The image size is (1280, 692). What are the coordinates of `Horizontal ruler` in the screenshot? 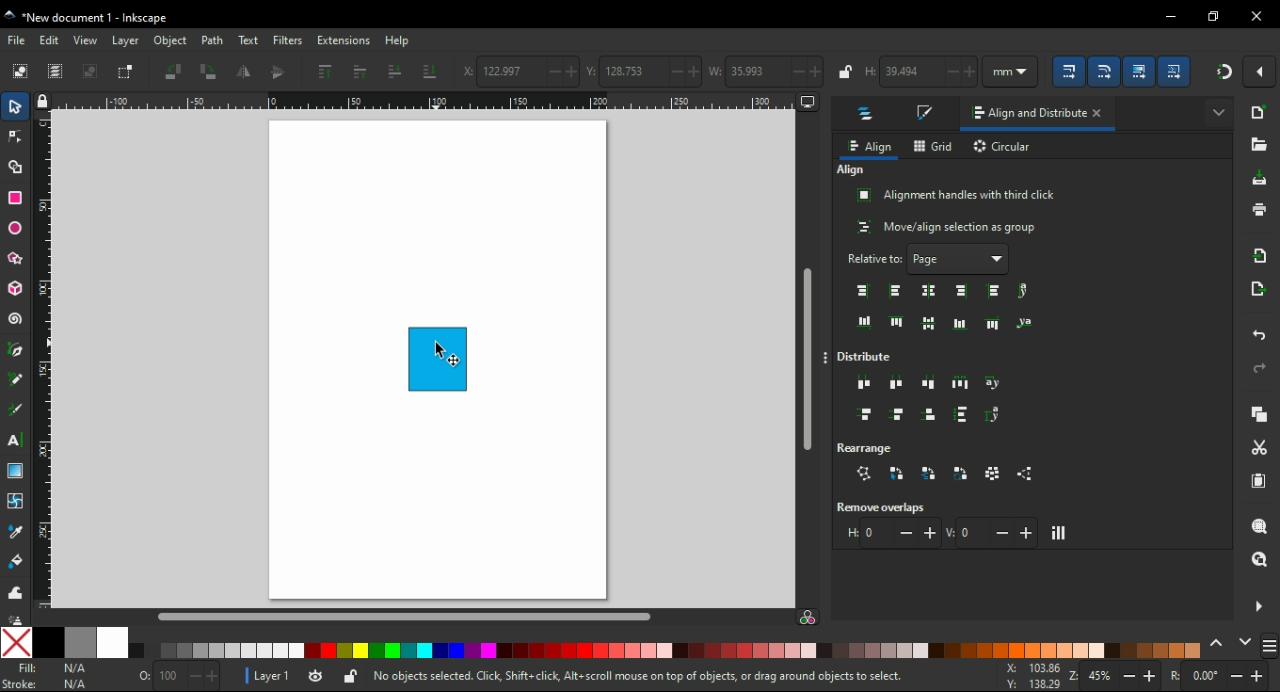 It's located at (430, 102).